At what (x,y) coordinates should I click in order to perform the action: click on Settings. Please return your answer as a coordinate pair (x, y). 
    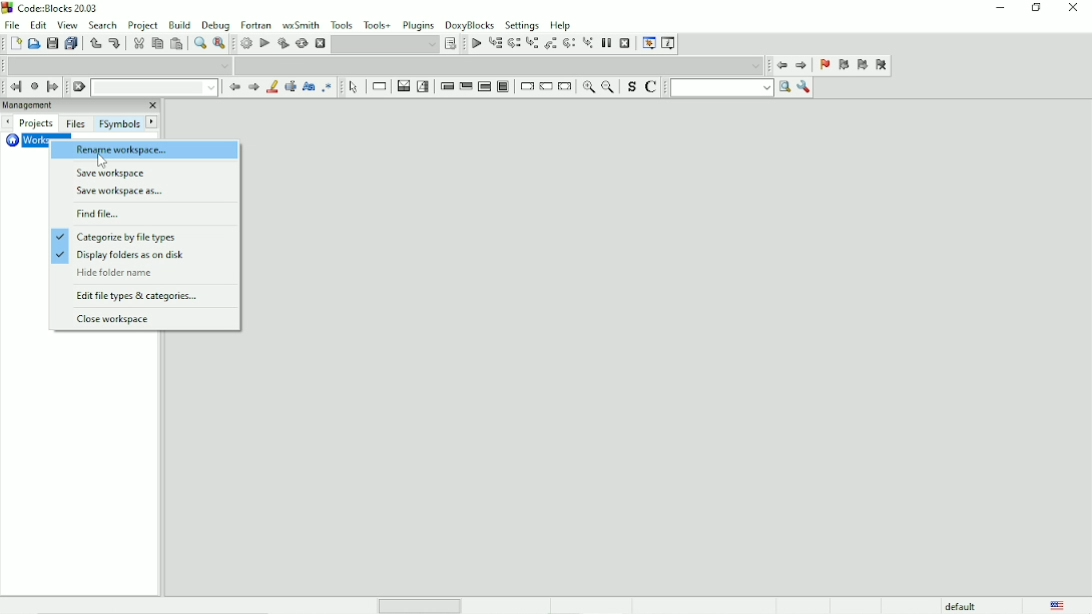
    Looking at the image, I should click on (522, 25).